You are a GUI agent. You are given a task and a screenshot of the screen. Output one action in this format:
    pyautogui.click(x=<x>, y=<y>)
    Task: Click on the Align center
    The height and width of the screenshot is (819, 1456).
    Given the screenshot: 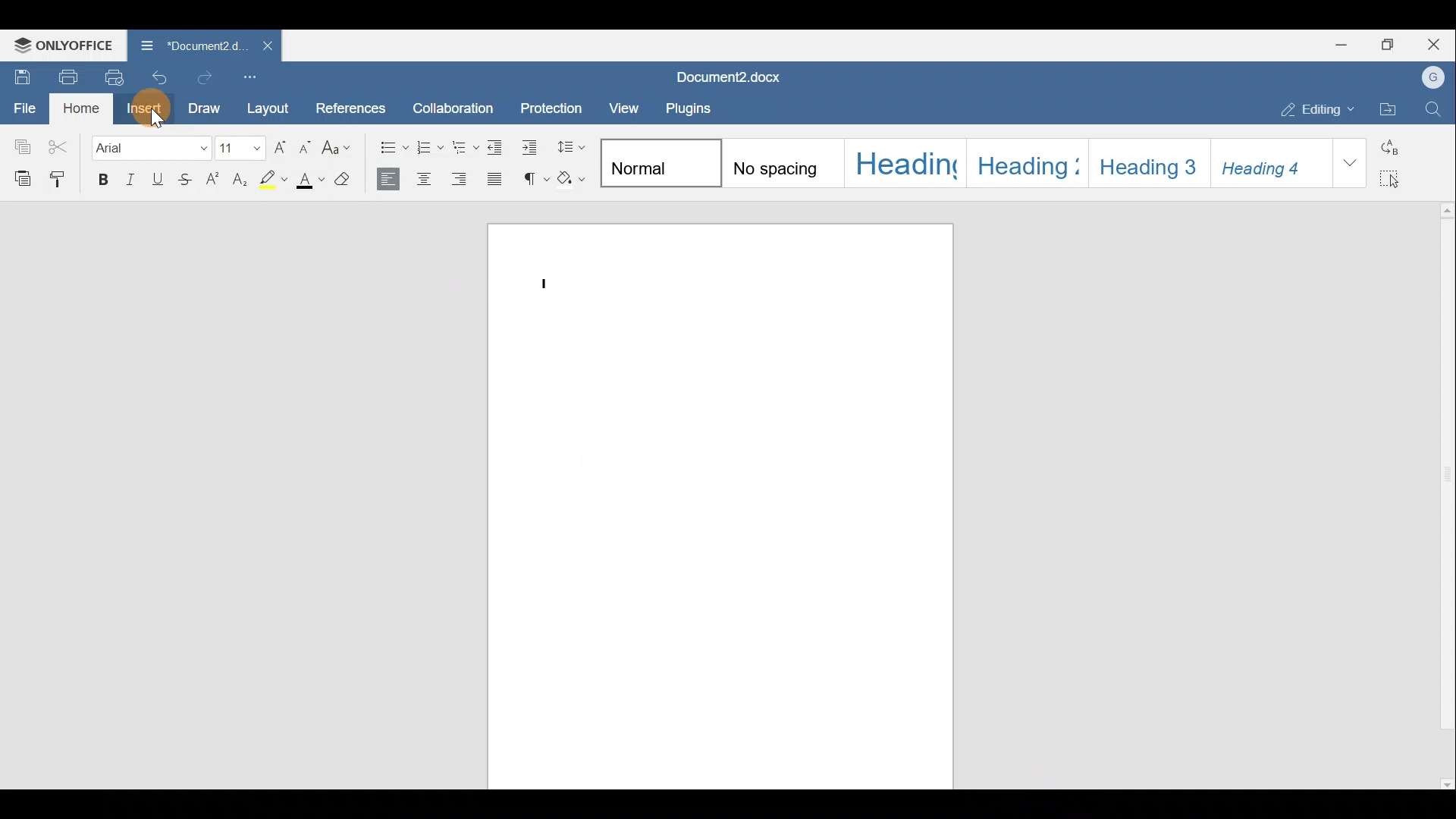 What is the action you would take?
    pyautogui.click(x=426, y=178)
    